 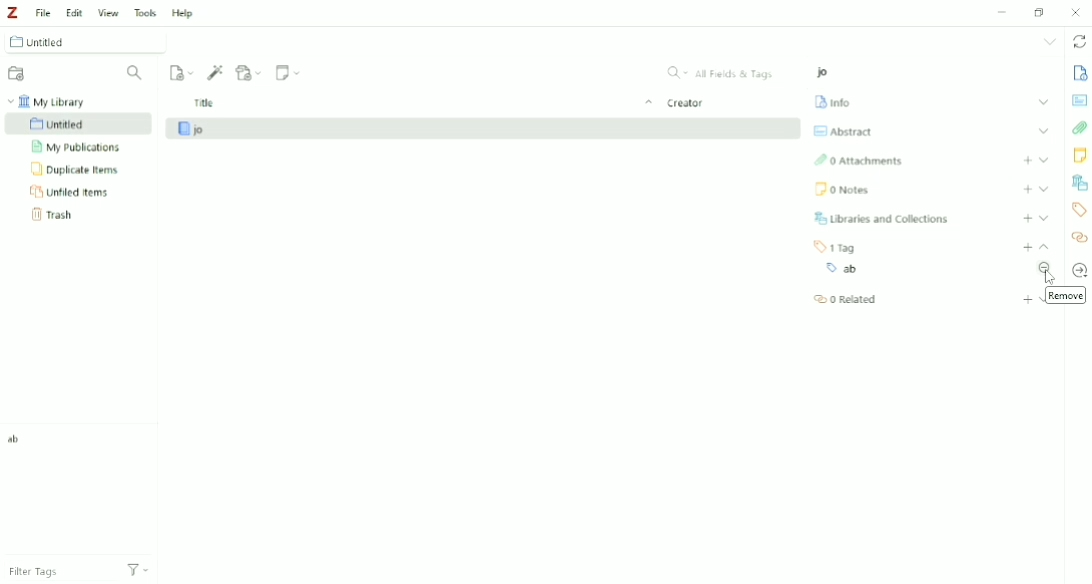 I want to click on New Item, so click(x=183, y=73).